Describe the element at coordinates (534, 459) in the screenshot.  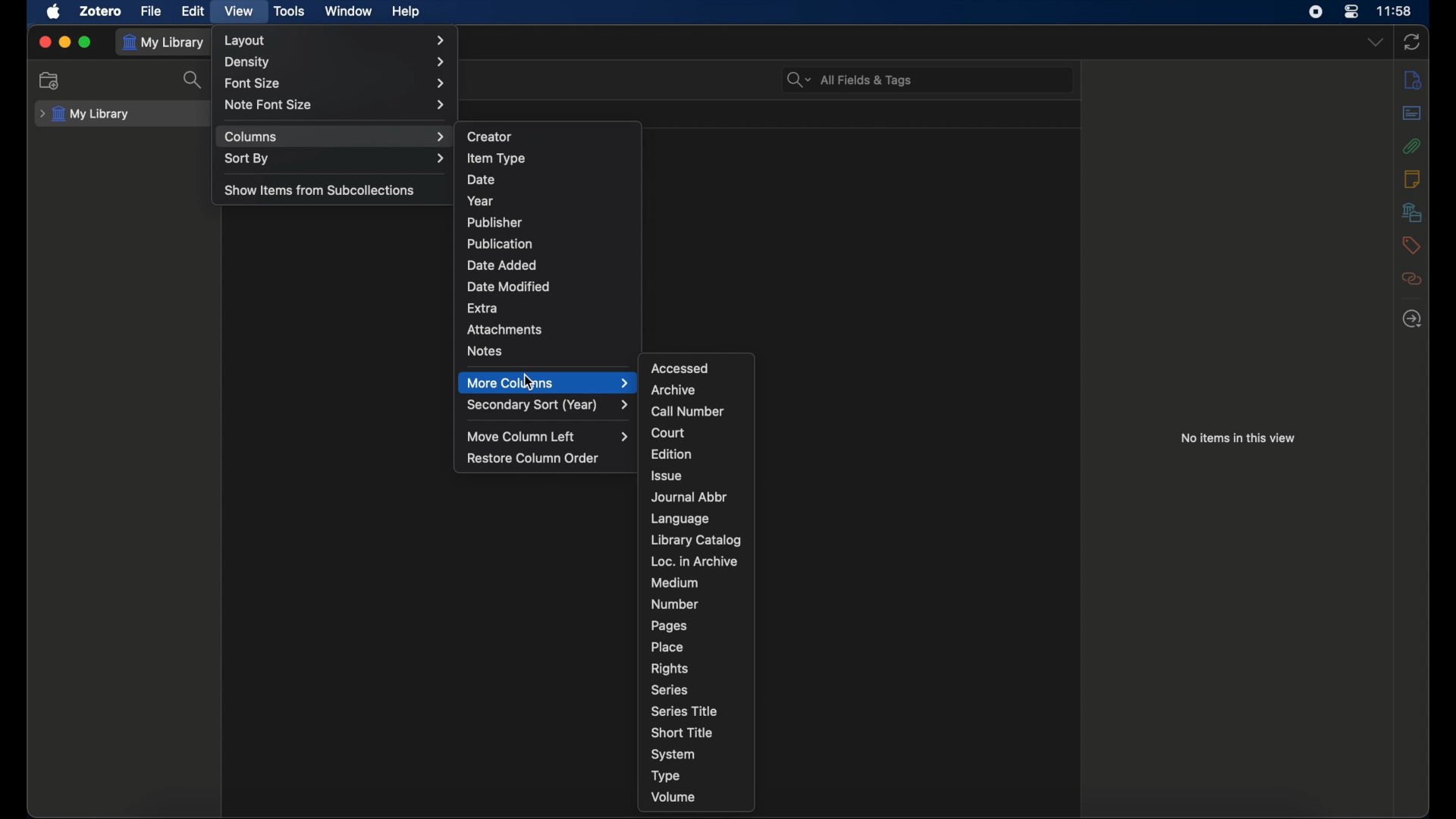
I see `restore column order` at that location.